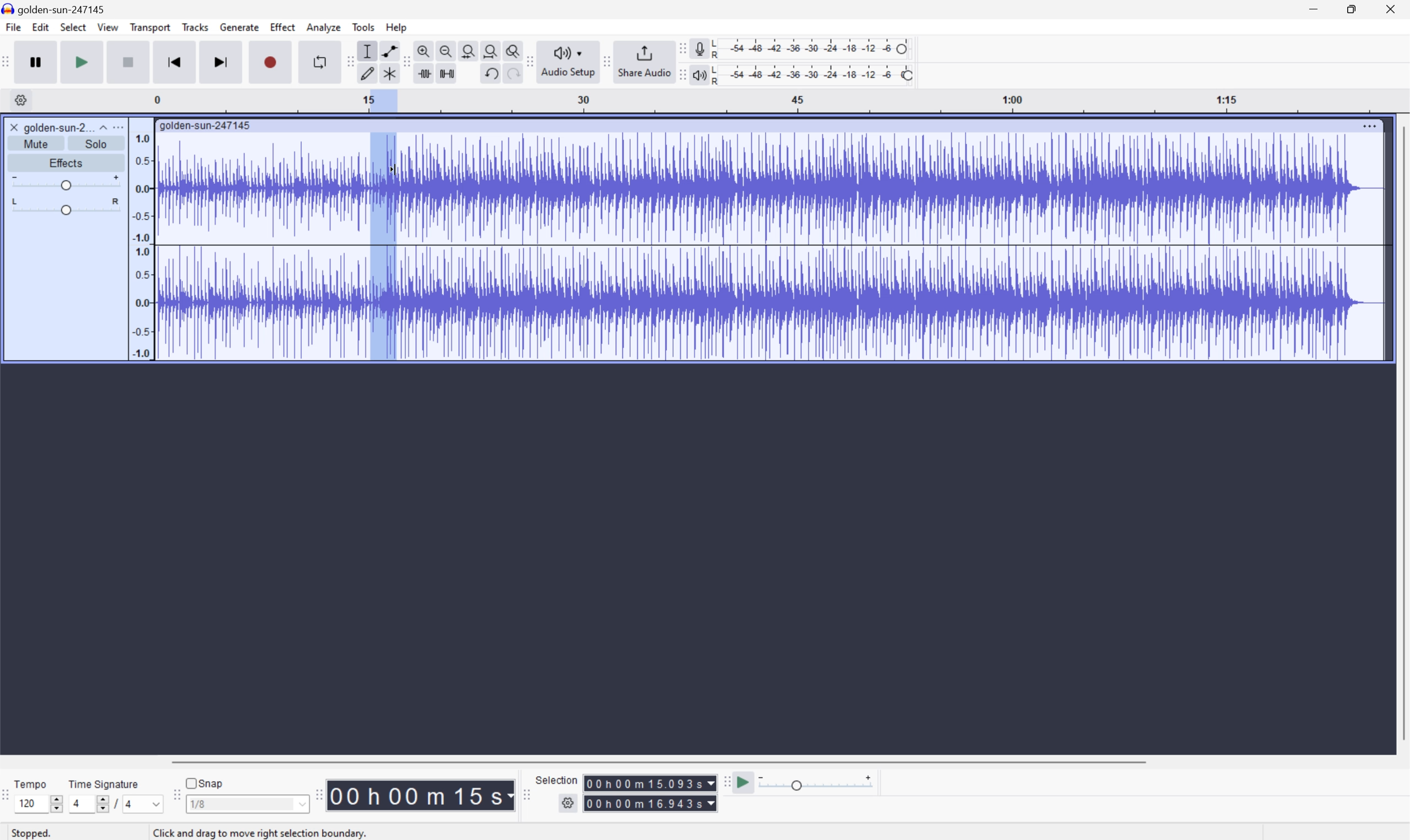  What do you see at coordinates (83, 62) in the screenshot?
I see `Play` at bounding box center [83, 62].